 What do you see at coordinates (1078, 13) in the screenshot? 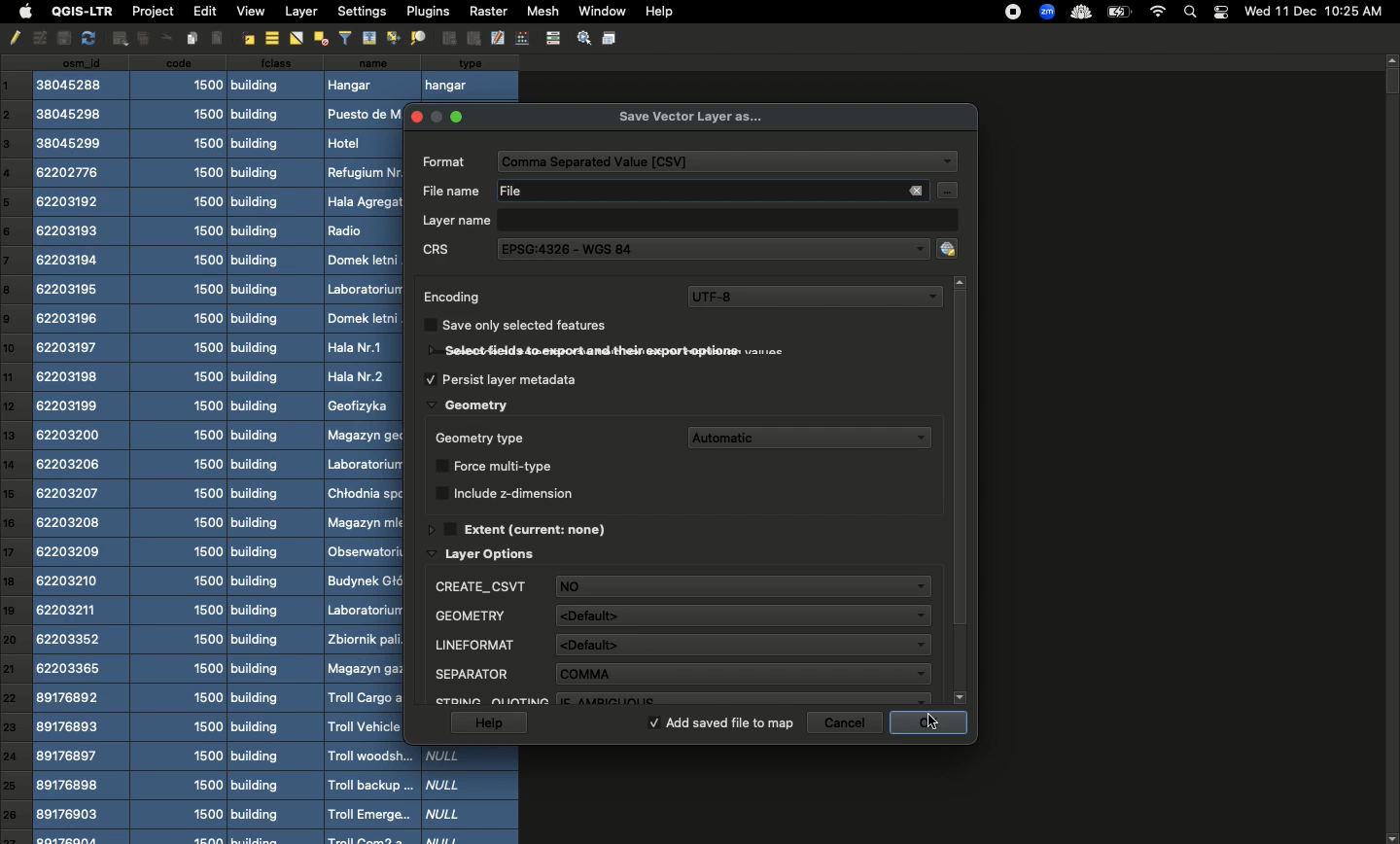
I see `cloud` at bounding box center [1078, 13].